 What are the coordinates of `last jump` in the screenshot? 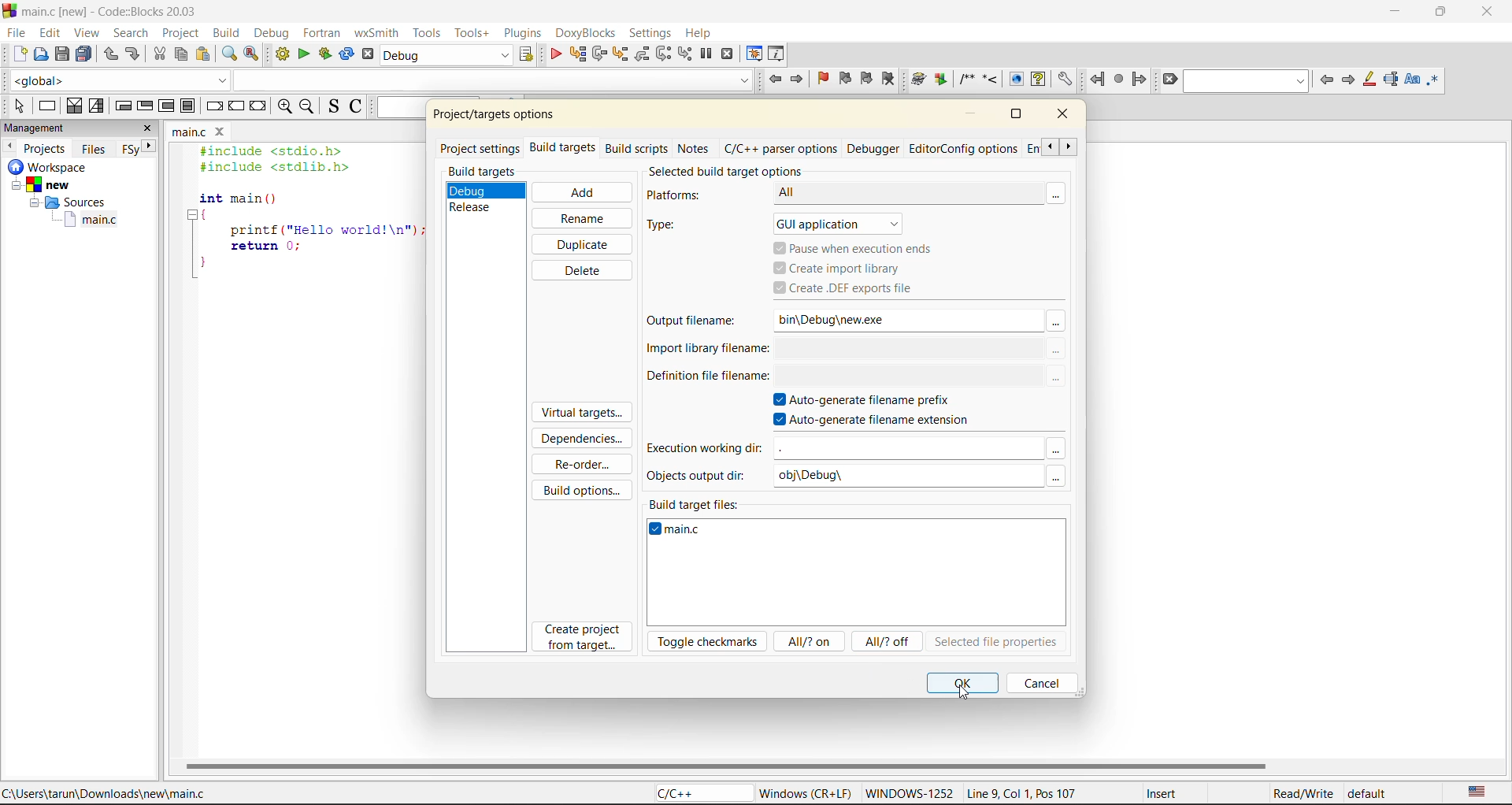 It's located at (1117, 80).